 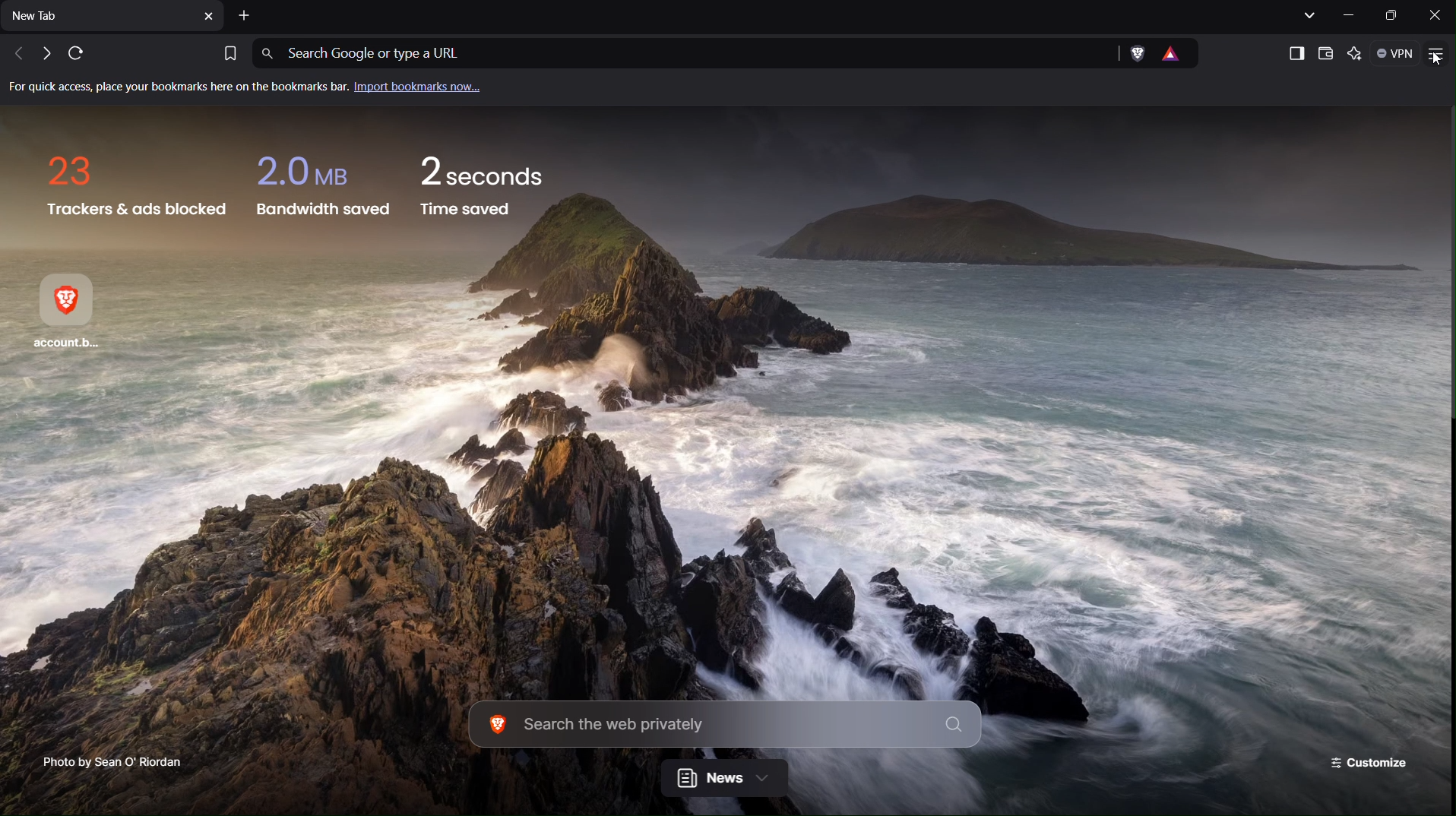 I want to click on Leo AI, so click(x=1357, y=54).